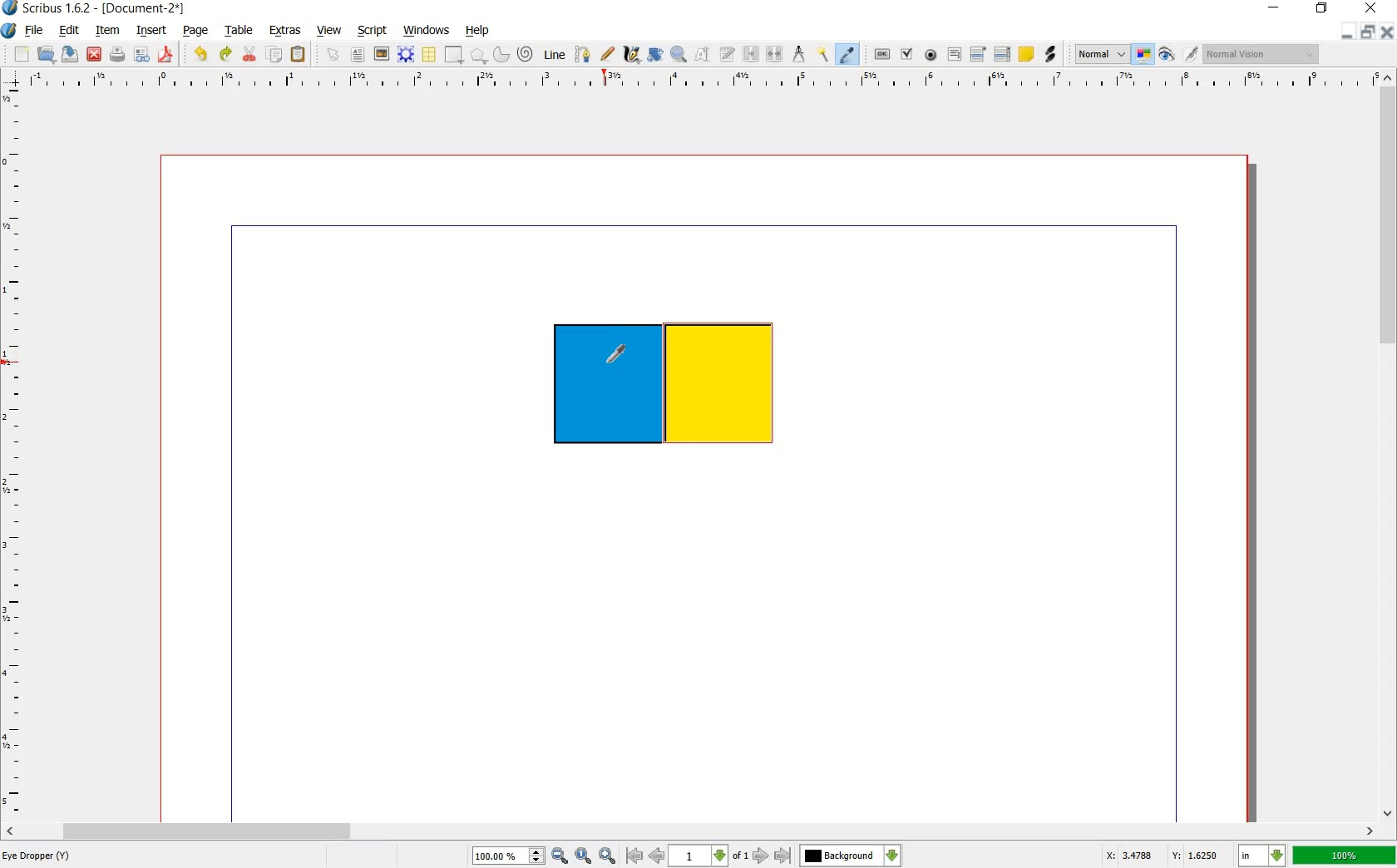 The height and width of the screenshot is (868, 1397). I want to click on file, so click(33, 30).